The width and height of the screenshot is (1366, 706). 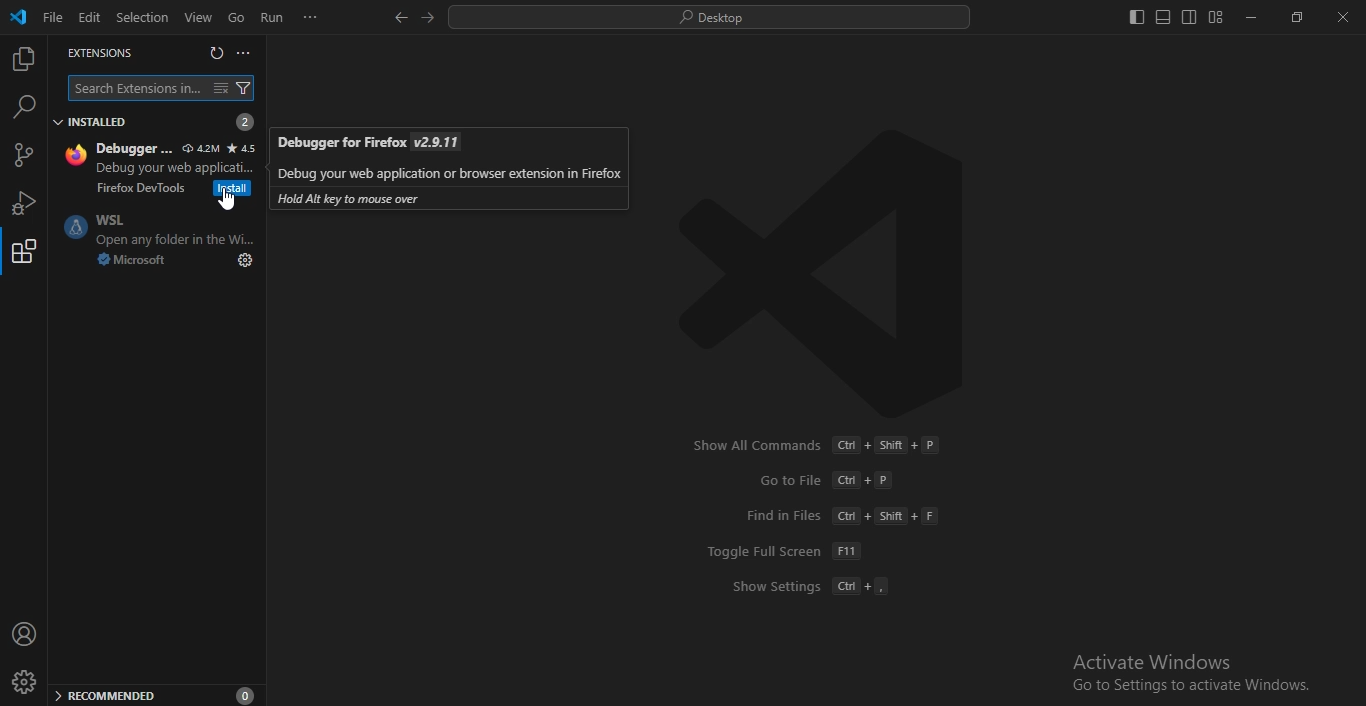 I want to click on close, so click(x=1343, y=19).